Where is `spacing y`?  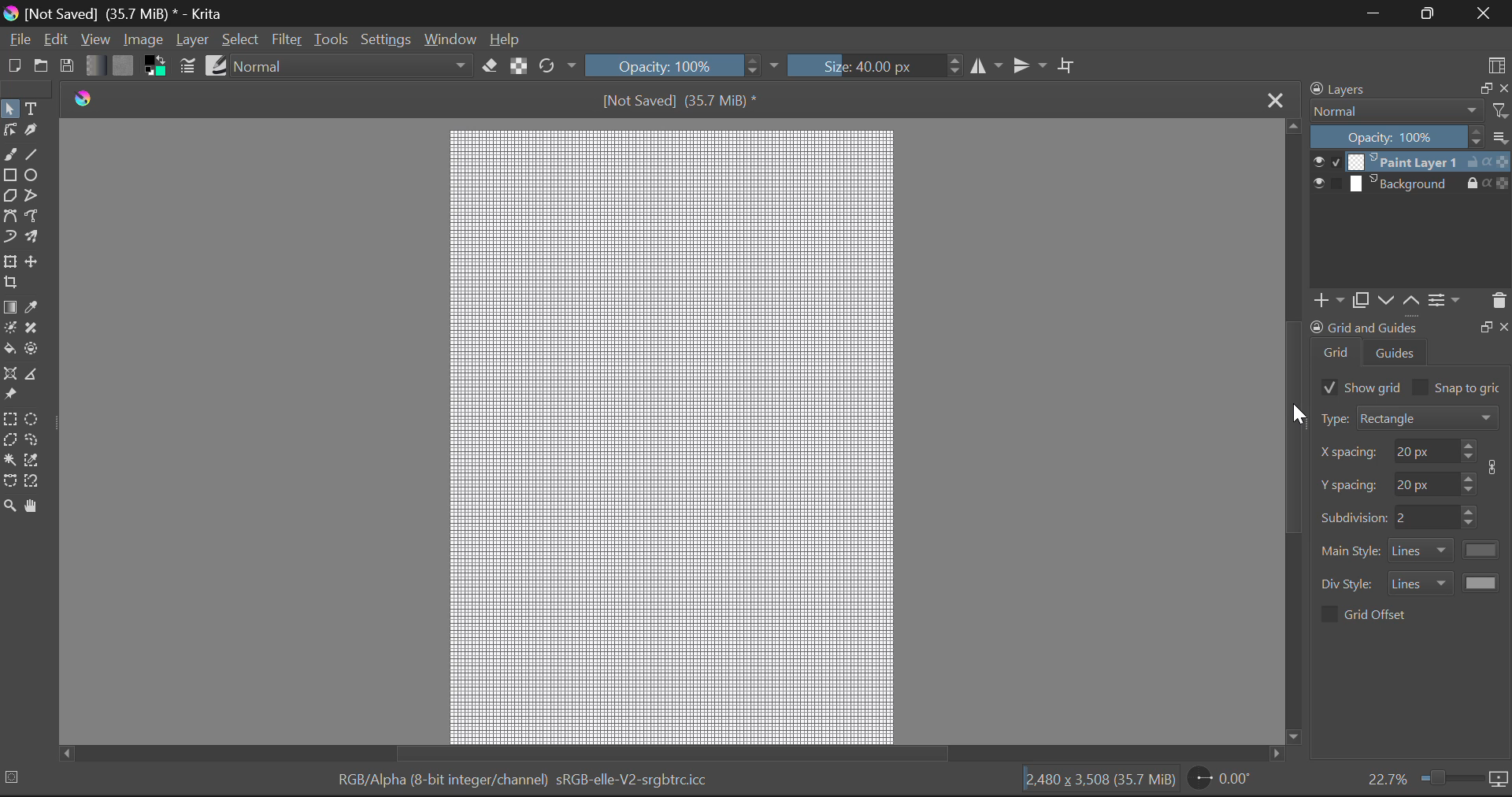
spacing y is located at coordinates (1425, 482).